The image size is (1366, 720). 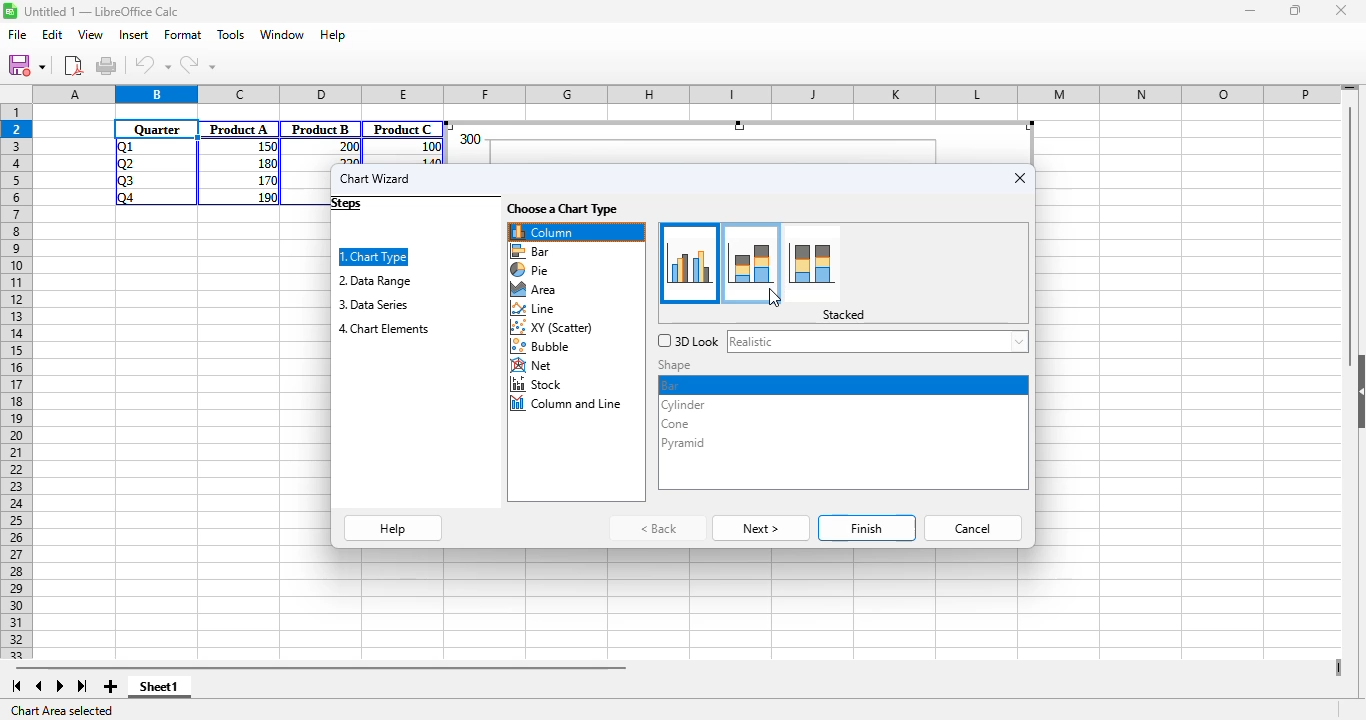 I want to click on logo, so click(x=10, y=10).